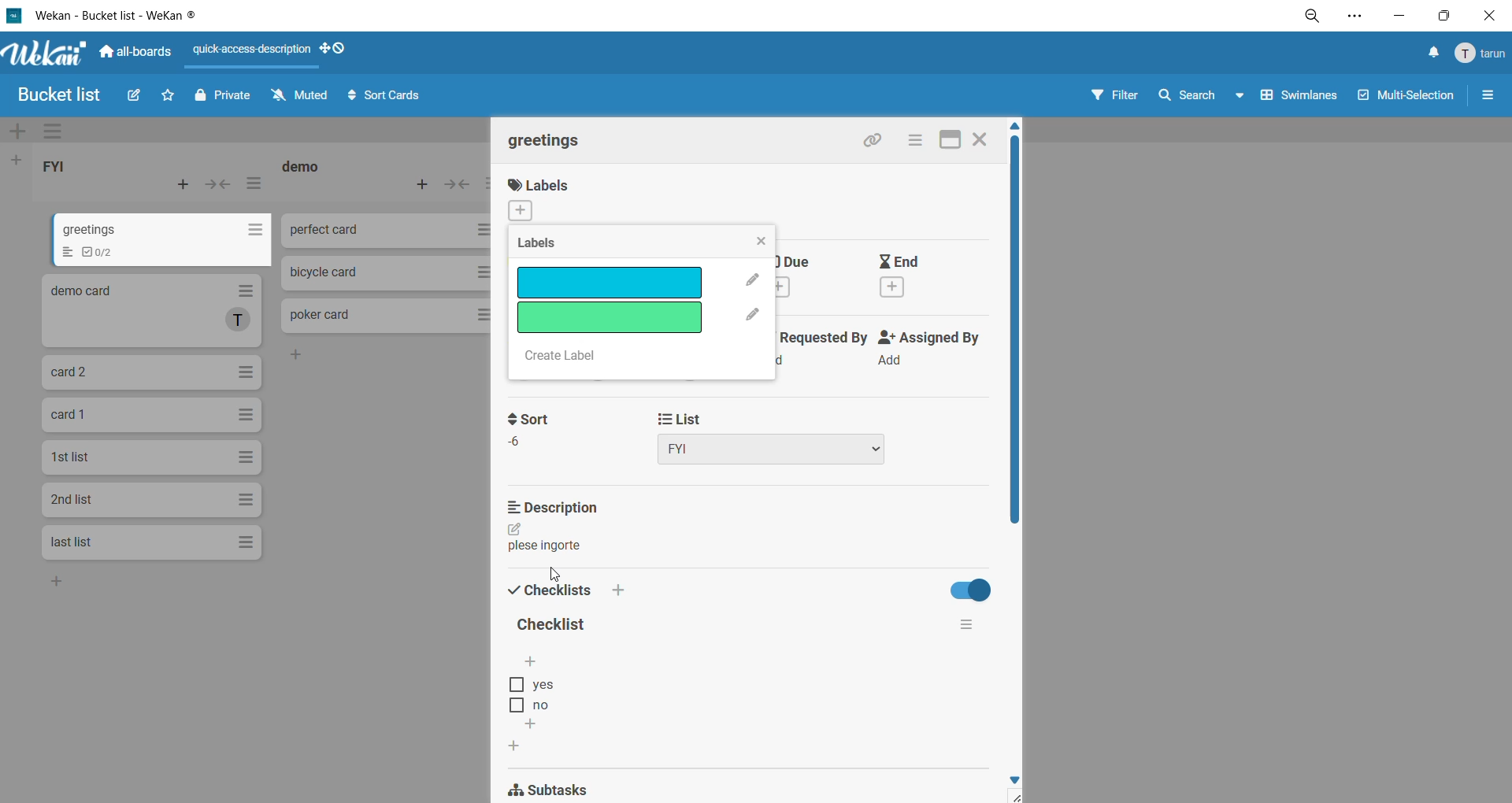  What do you see at coordinates (549, 140) in the screenshot?
I see `card title` at bounding box center [549, 140].